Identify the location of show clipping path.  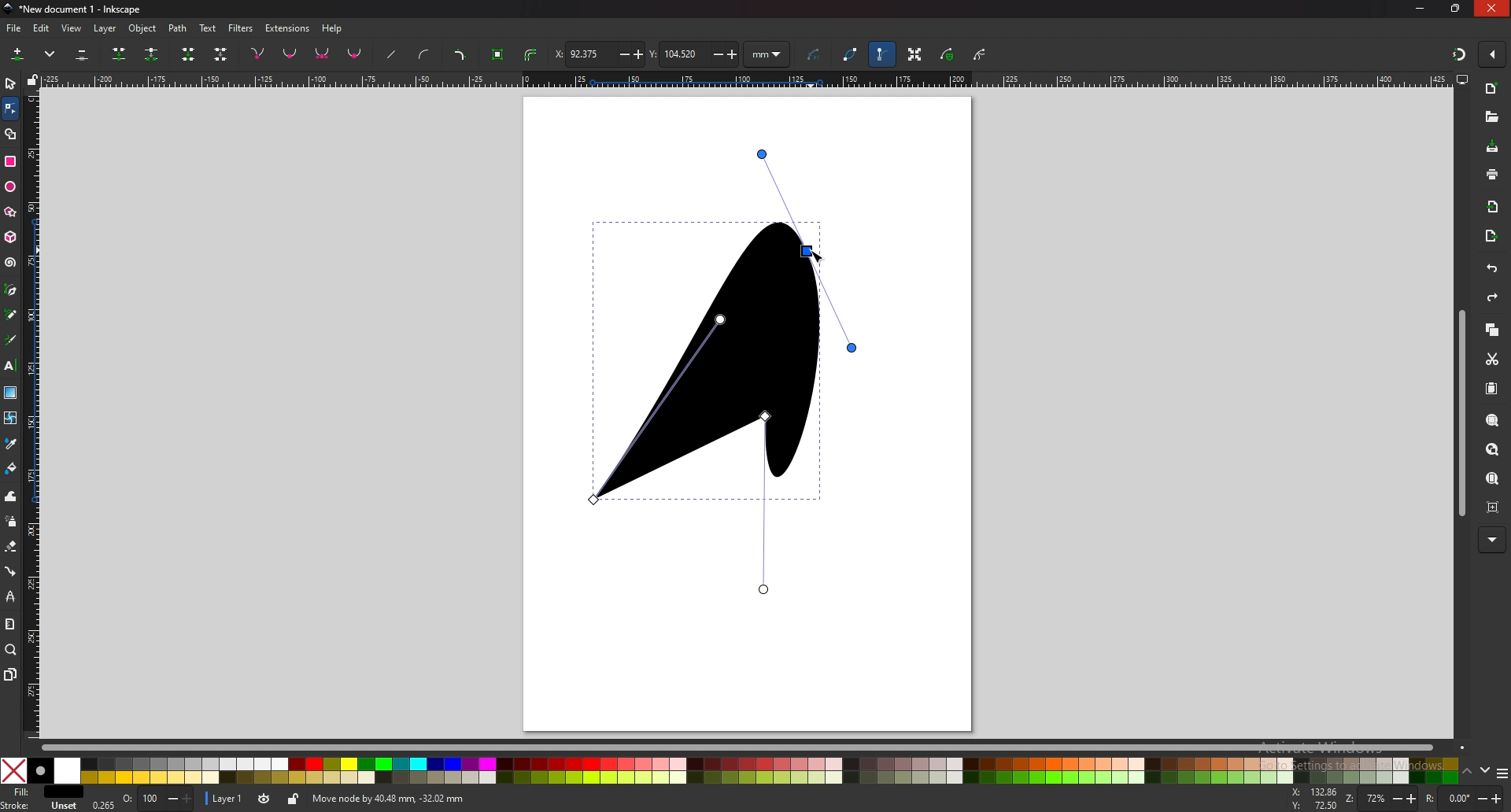
(980, 54).